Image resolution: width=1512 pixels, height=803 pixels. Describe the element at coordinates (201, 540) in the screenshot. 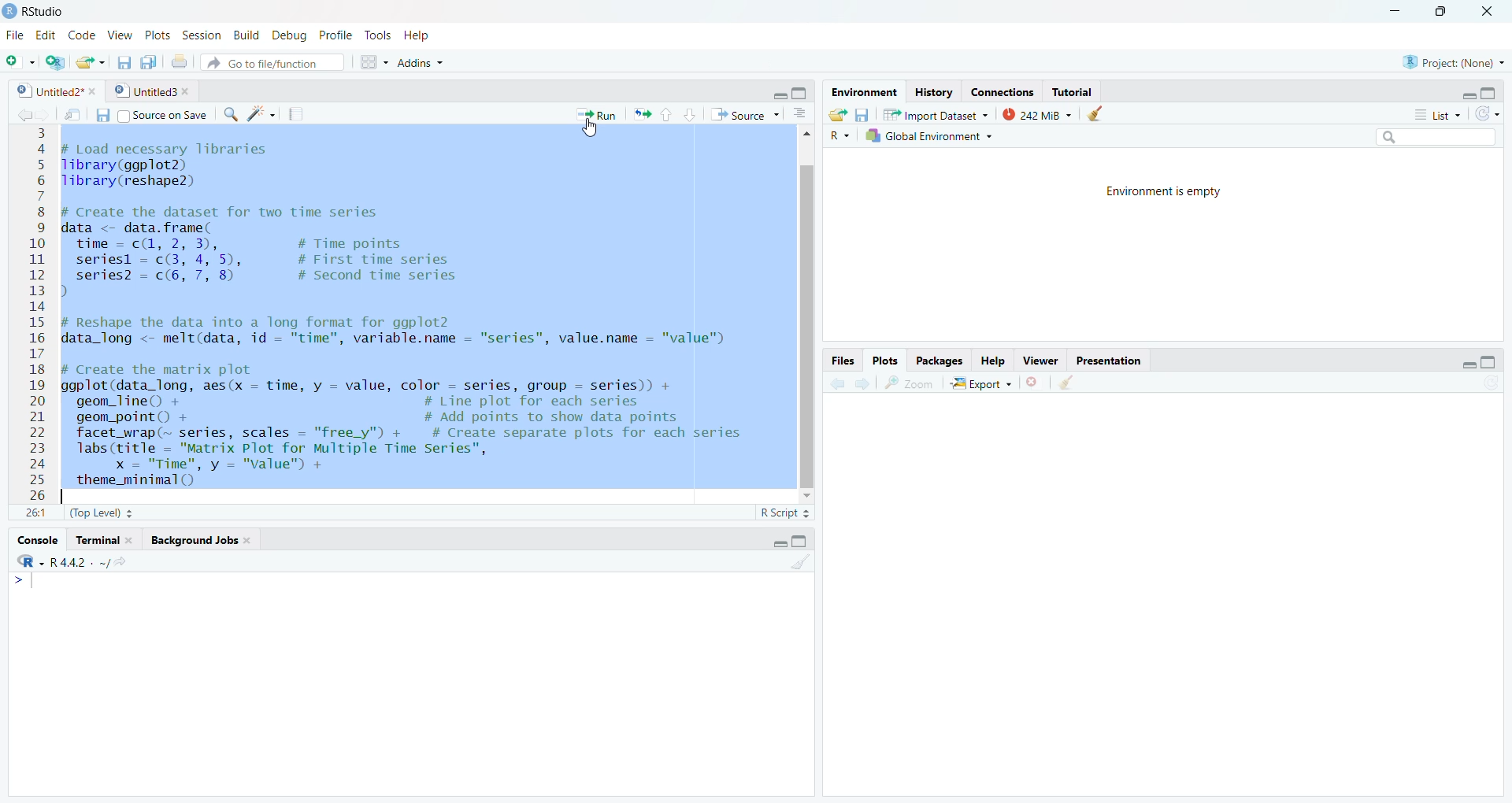

I see `Background Jobs` at that location.